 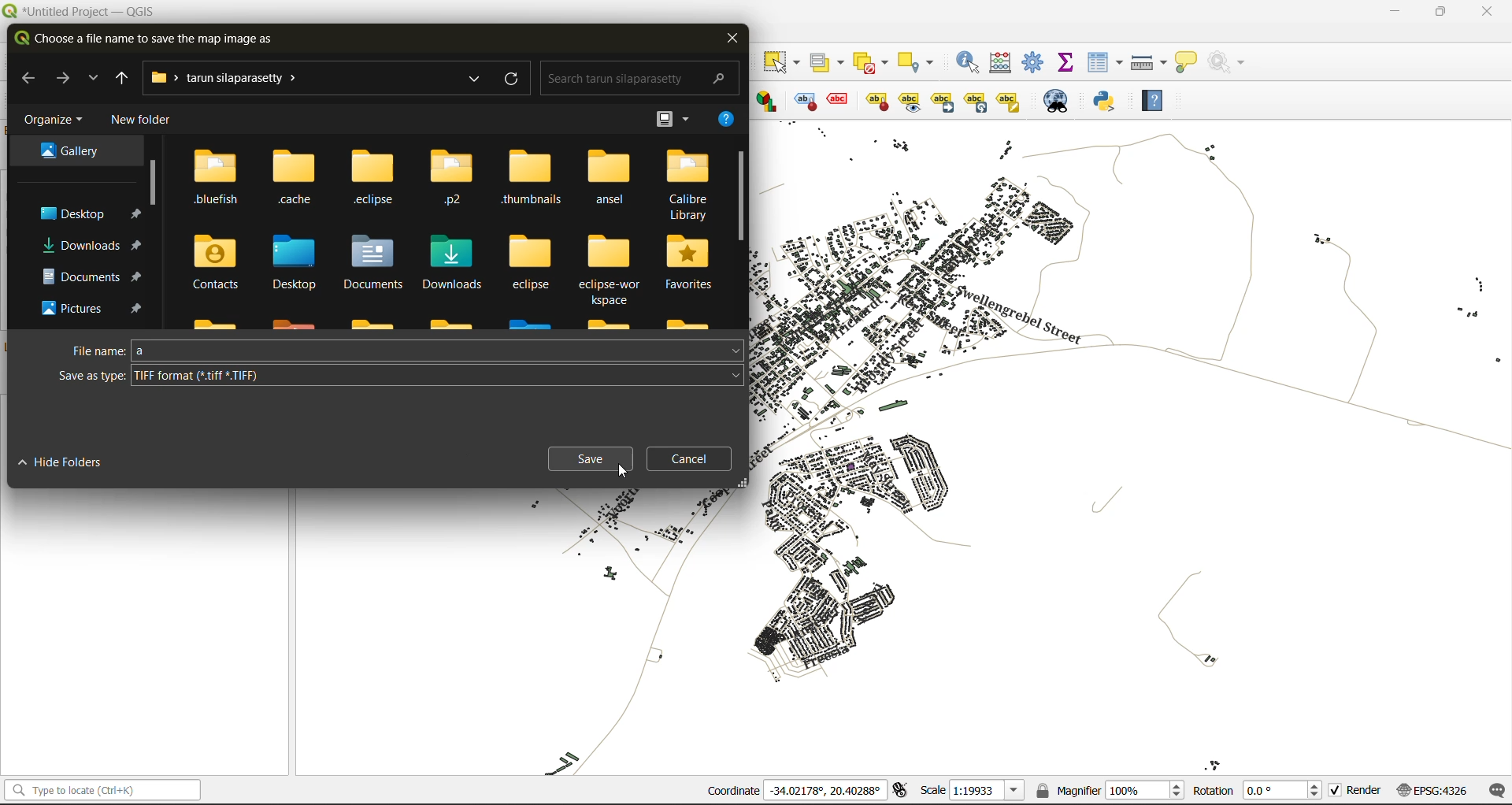 I want to click on choose a file name, so click(x=147, y=40).